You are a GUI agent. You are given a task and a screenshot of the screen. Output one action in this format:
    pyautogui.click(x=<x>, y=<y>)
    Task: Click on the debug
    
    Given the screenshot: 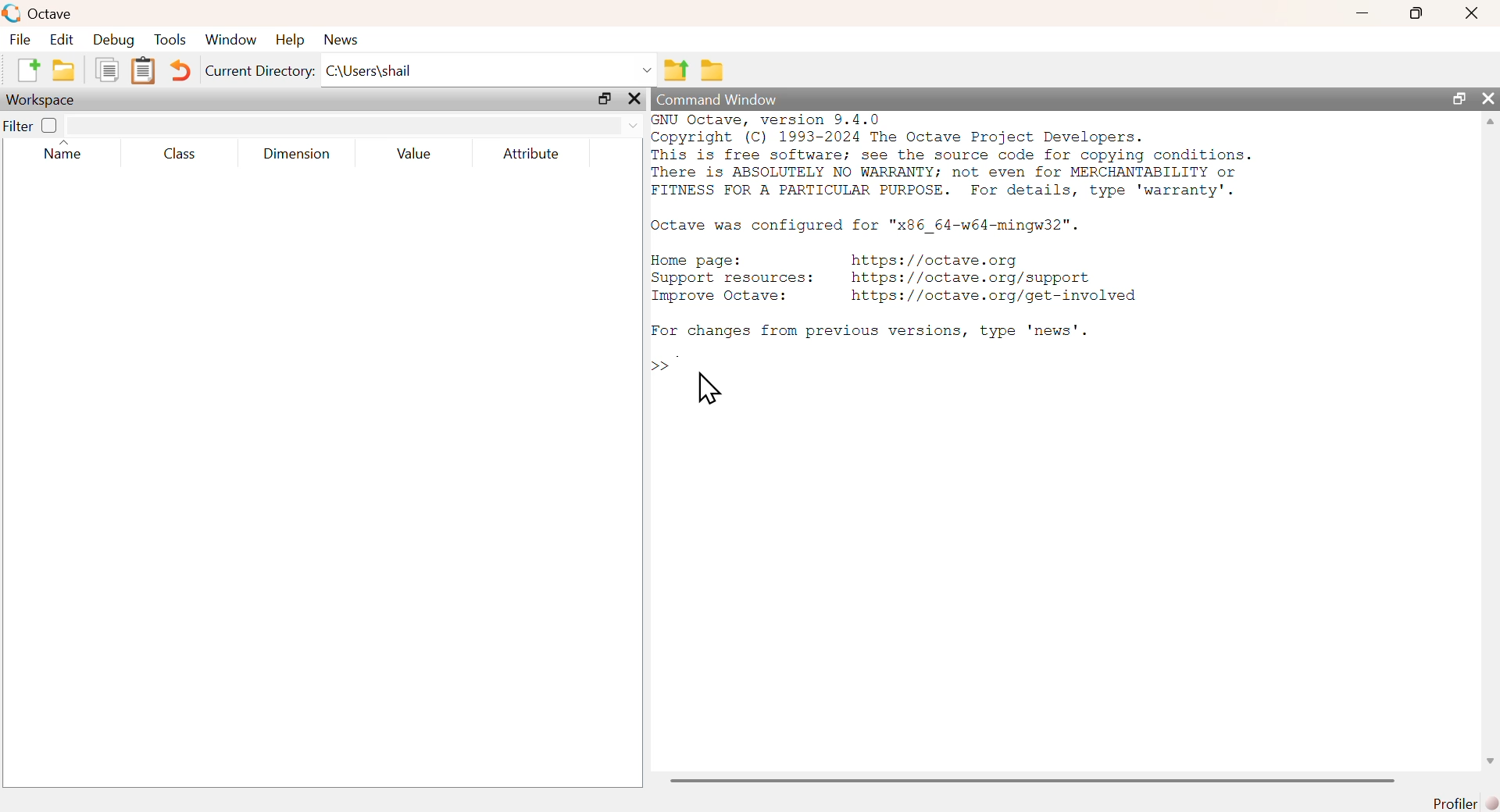 What is the action you would take?
    pyautogui.click(x=114, y=41)
    